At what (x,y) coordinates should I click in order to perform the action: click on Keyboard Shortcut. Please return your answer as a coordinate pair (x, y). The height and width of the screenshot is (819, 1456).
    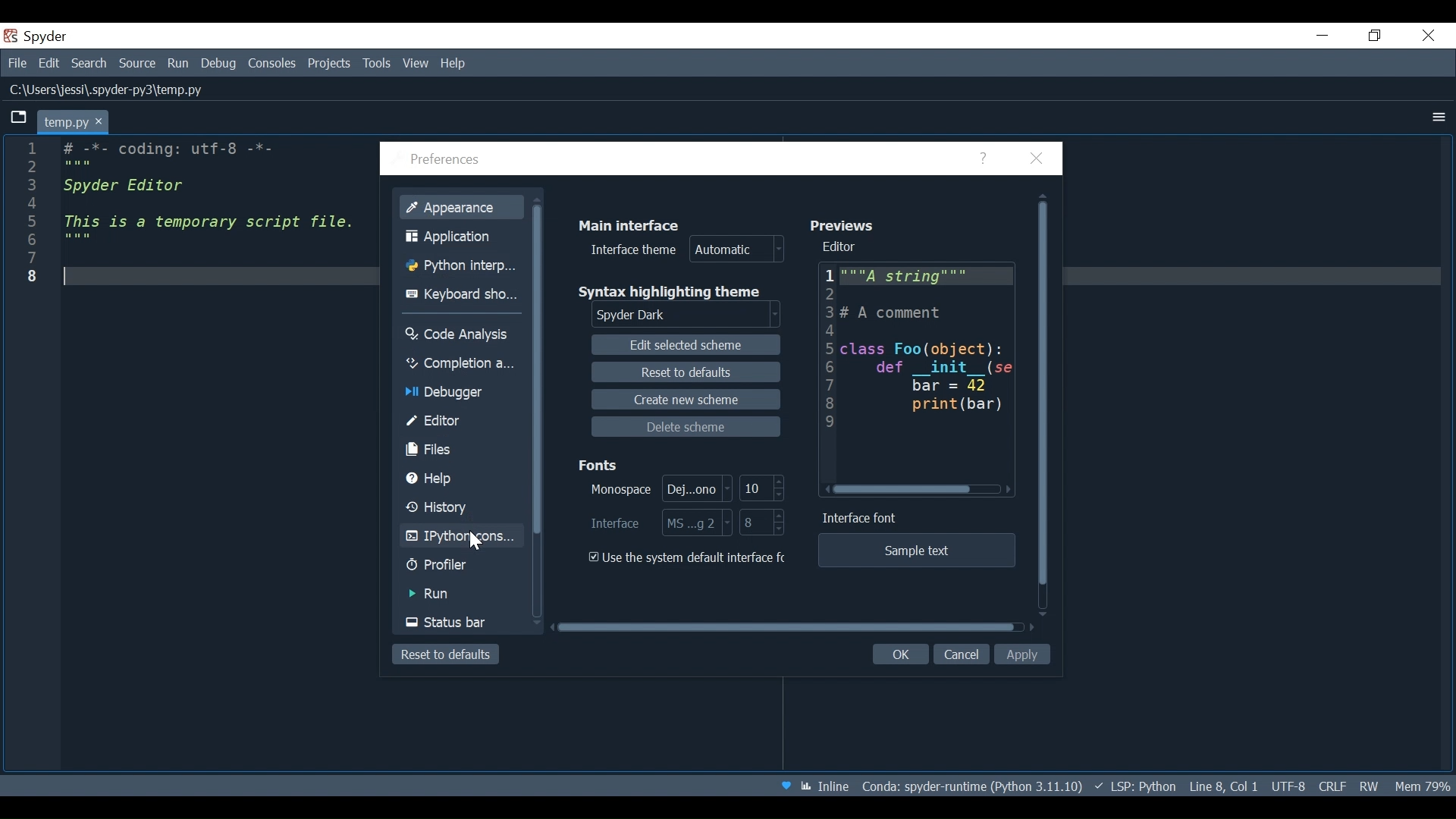
    Looking at the image, I should click on (461, 293).